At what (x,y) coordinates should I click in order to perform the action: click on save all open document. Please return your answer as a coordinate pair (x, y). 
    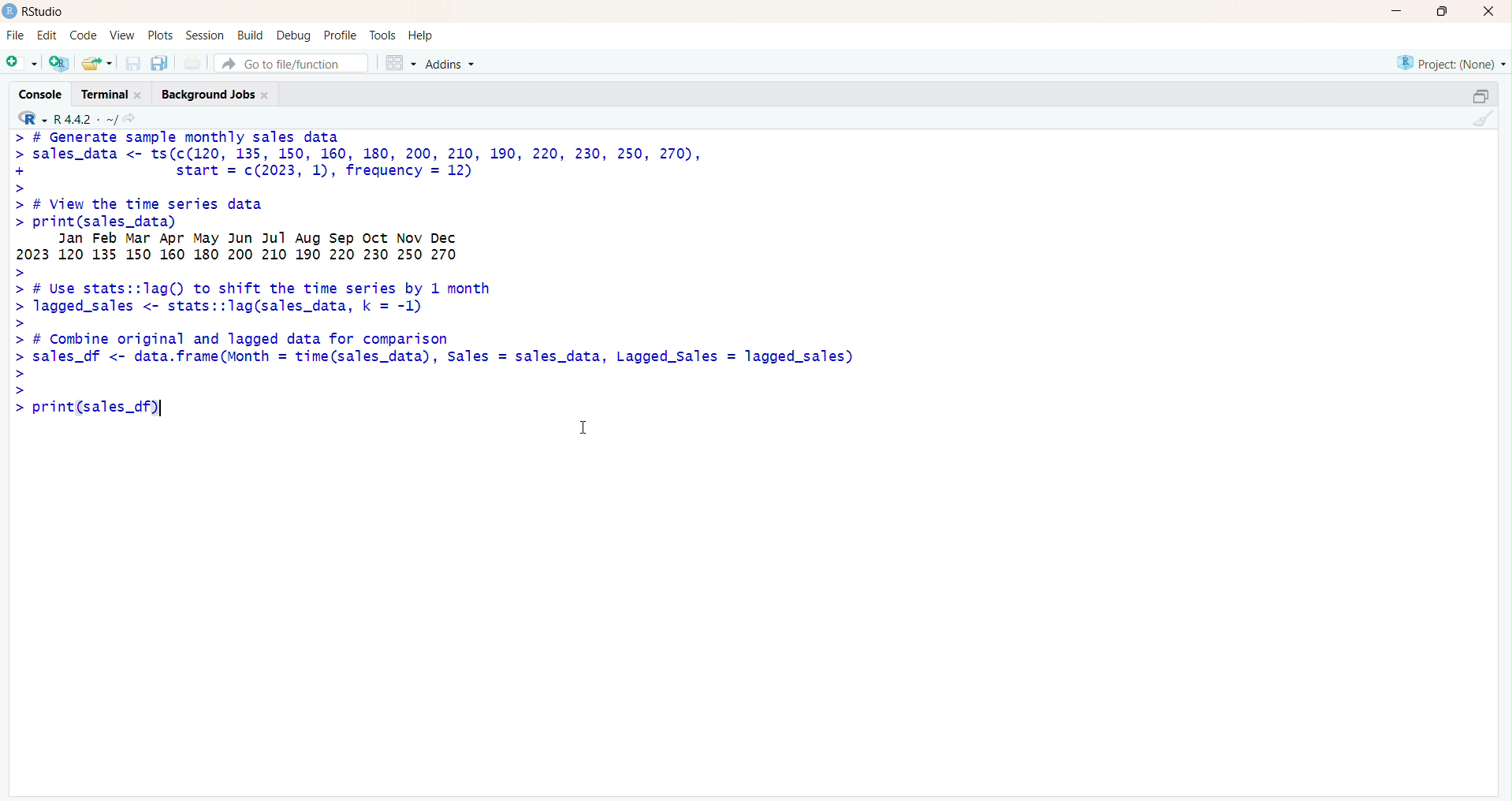
    Looking at the image, I should click on (160, 64).